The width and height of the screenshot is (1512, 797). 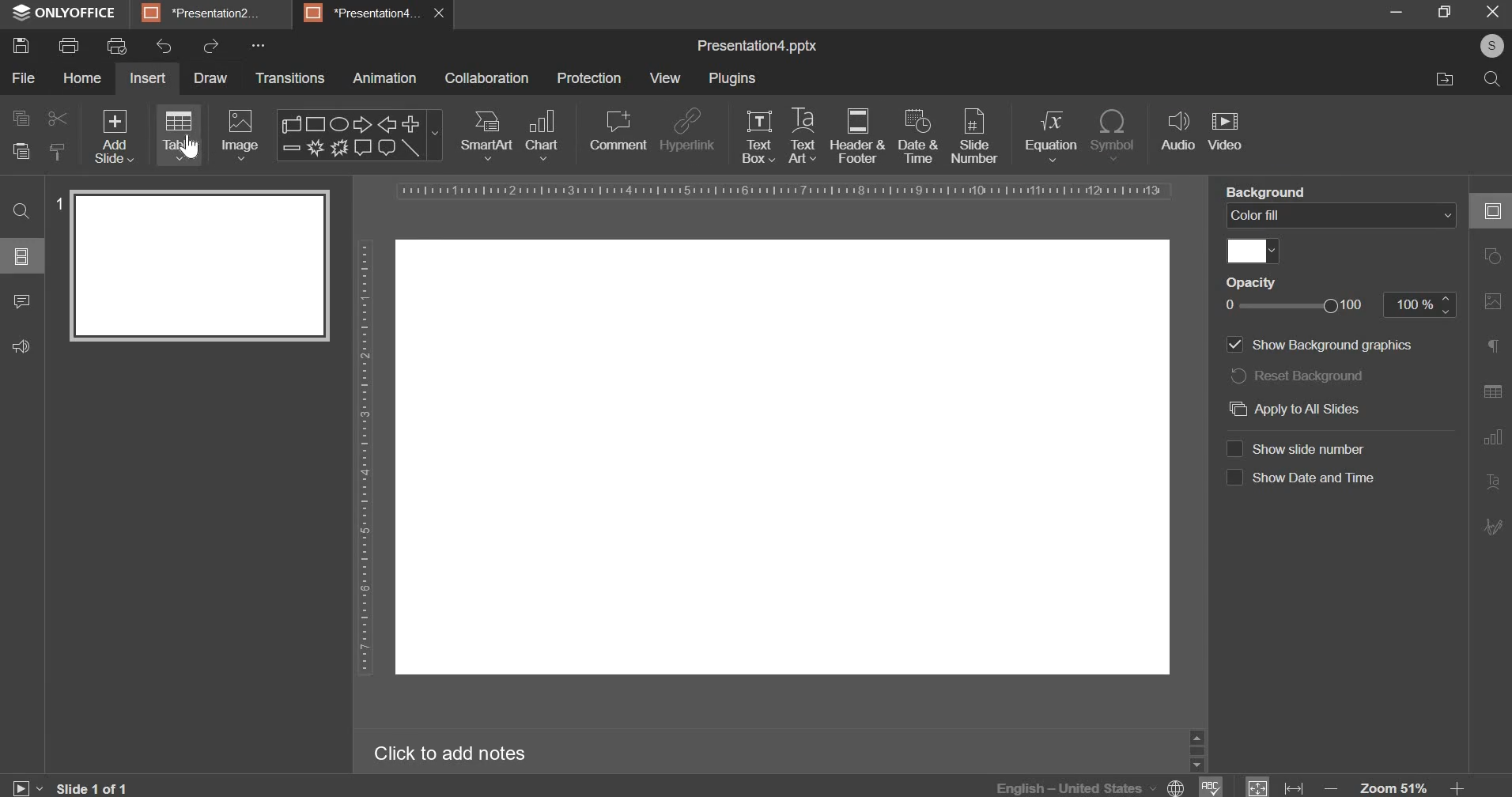 I want to click on background, so click(x=1261, y=191).